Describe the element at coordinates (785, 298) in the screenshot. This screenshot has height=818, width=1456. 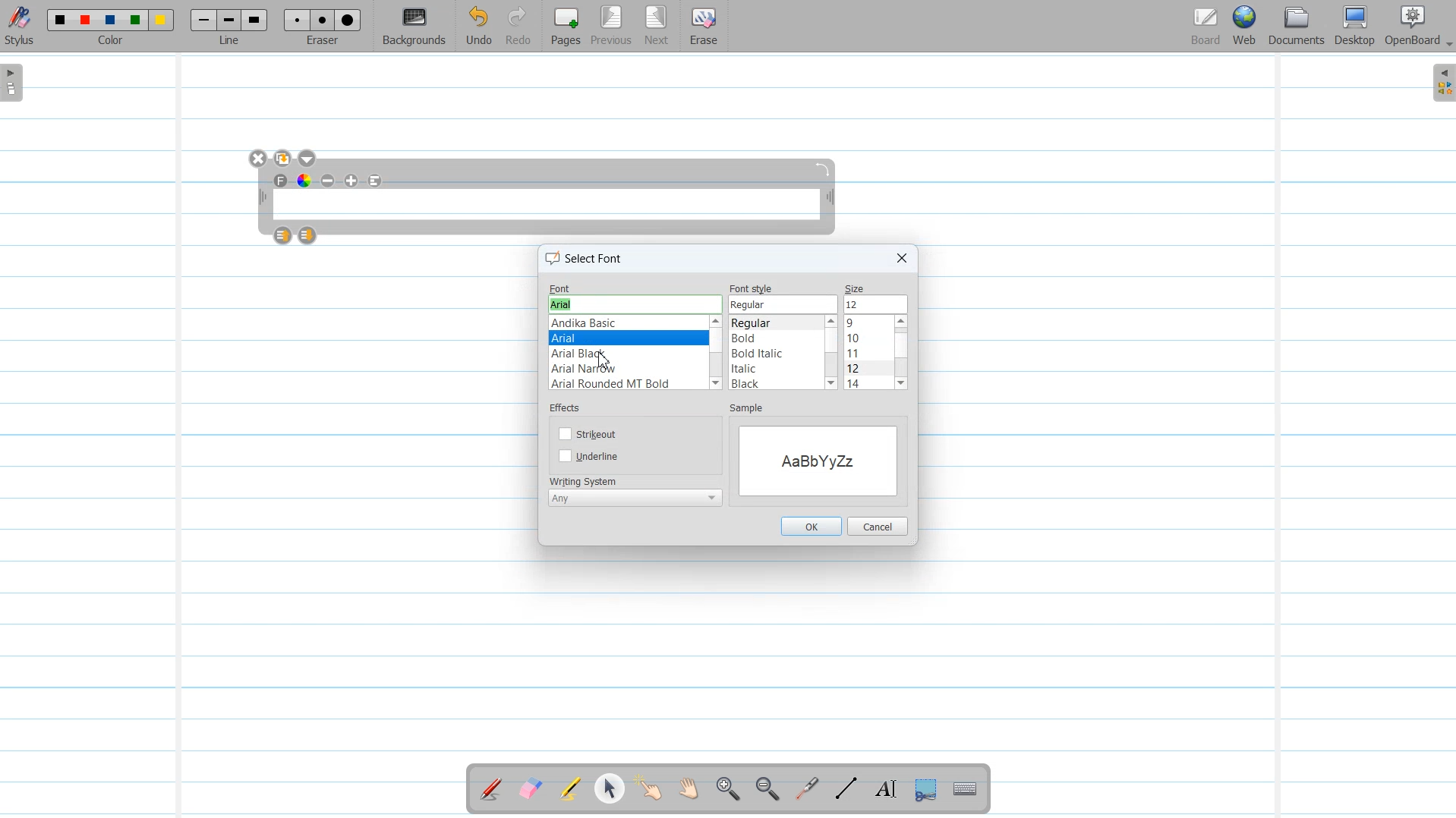
I see `Font style name` at that location.